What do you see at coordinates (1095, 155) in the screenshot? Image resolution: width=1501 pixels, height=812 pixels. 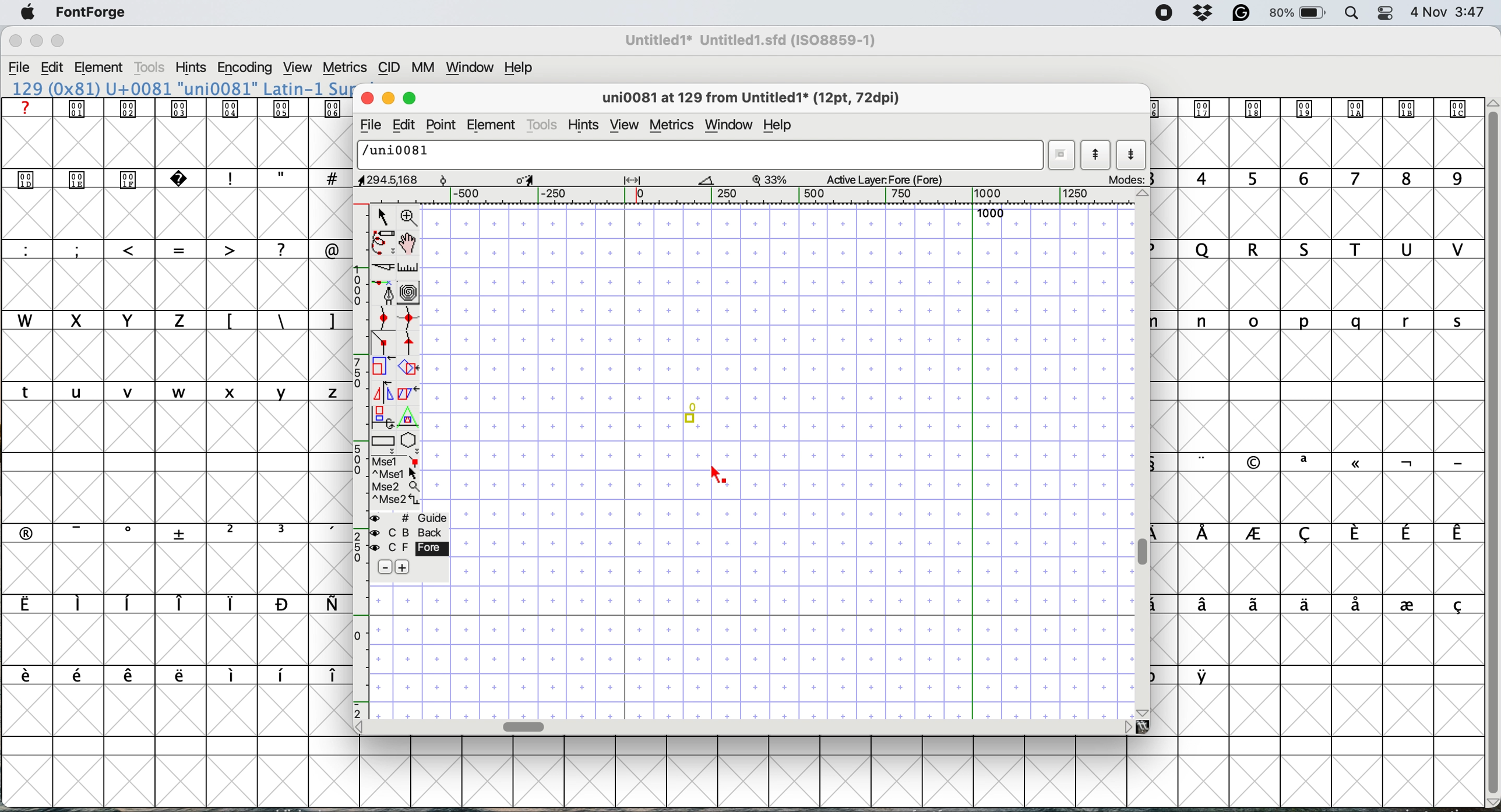 I see `show previous letter` at bounding box center [1095, 155].